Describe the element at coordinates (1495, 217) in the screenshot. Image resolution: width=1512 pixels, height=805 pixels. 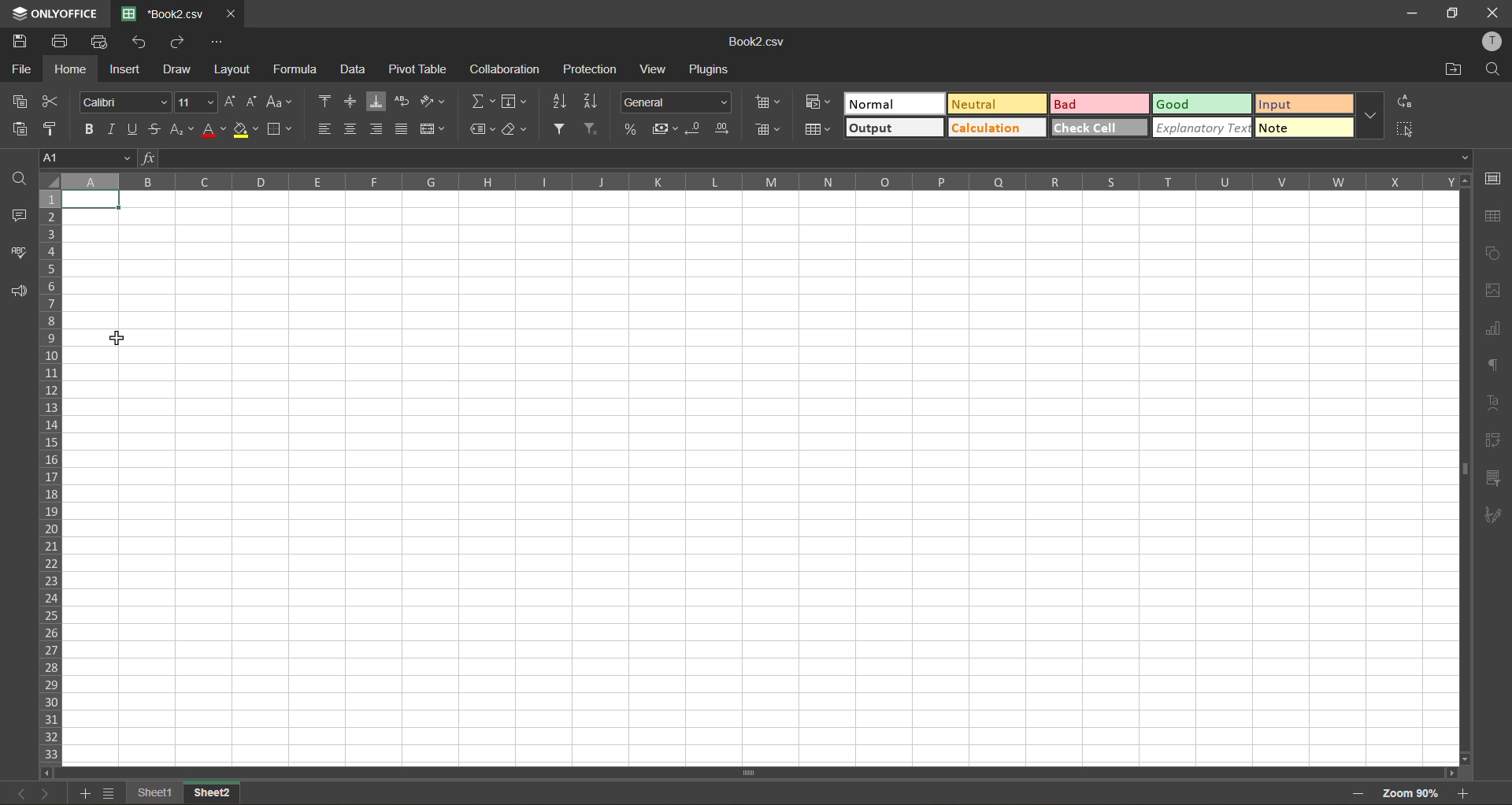
I see `table` at that location.